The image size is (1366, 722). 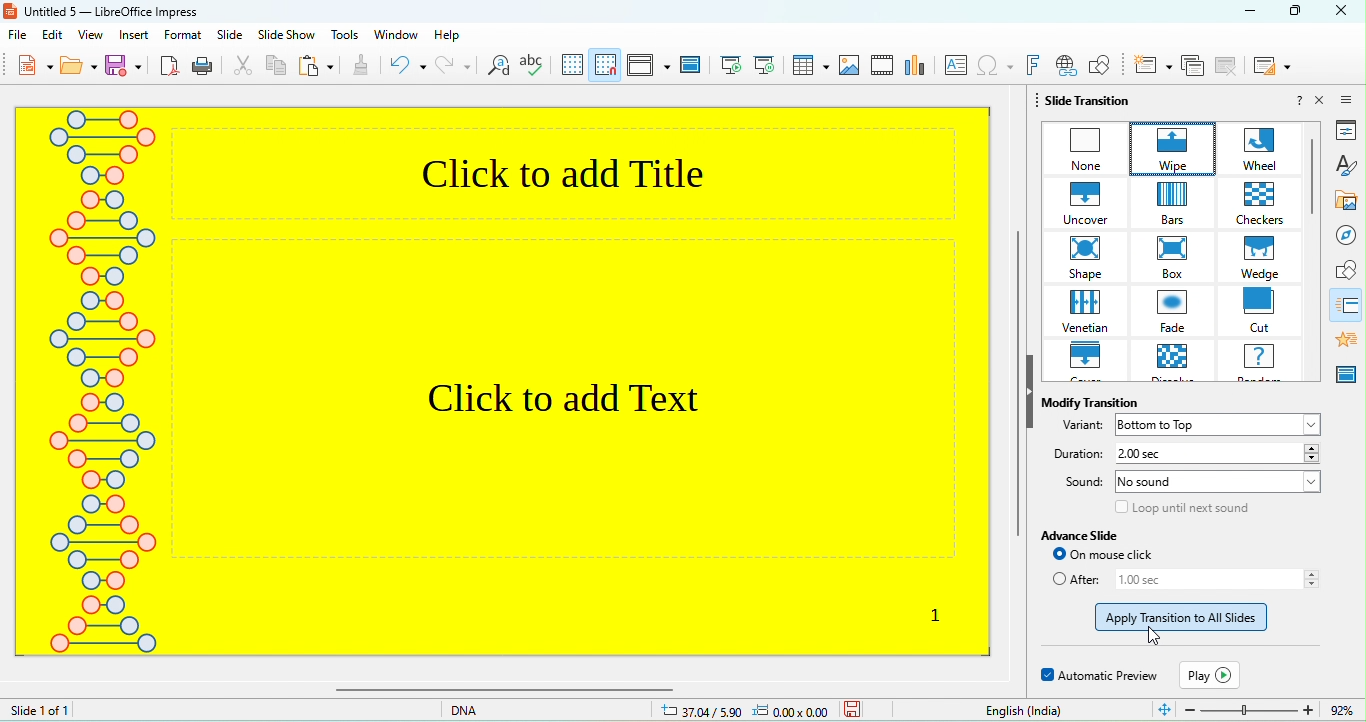 I want to click on close, so click(x=1343, y=11).